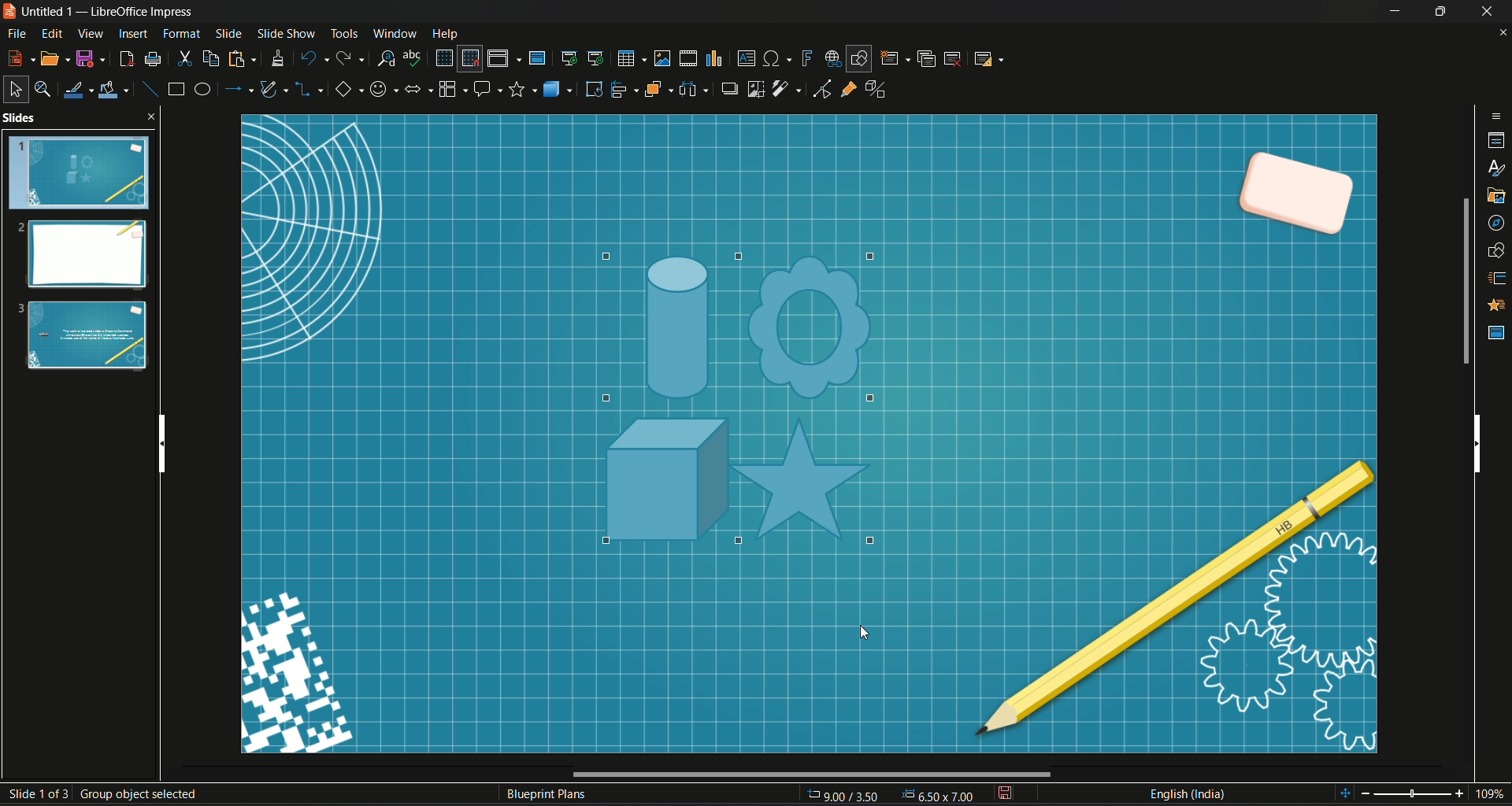  Describe the element at coordinates (806, 57) in the screenshot. I see `insert fontwork text` at that location.